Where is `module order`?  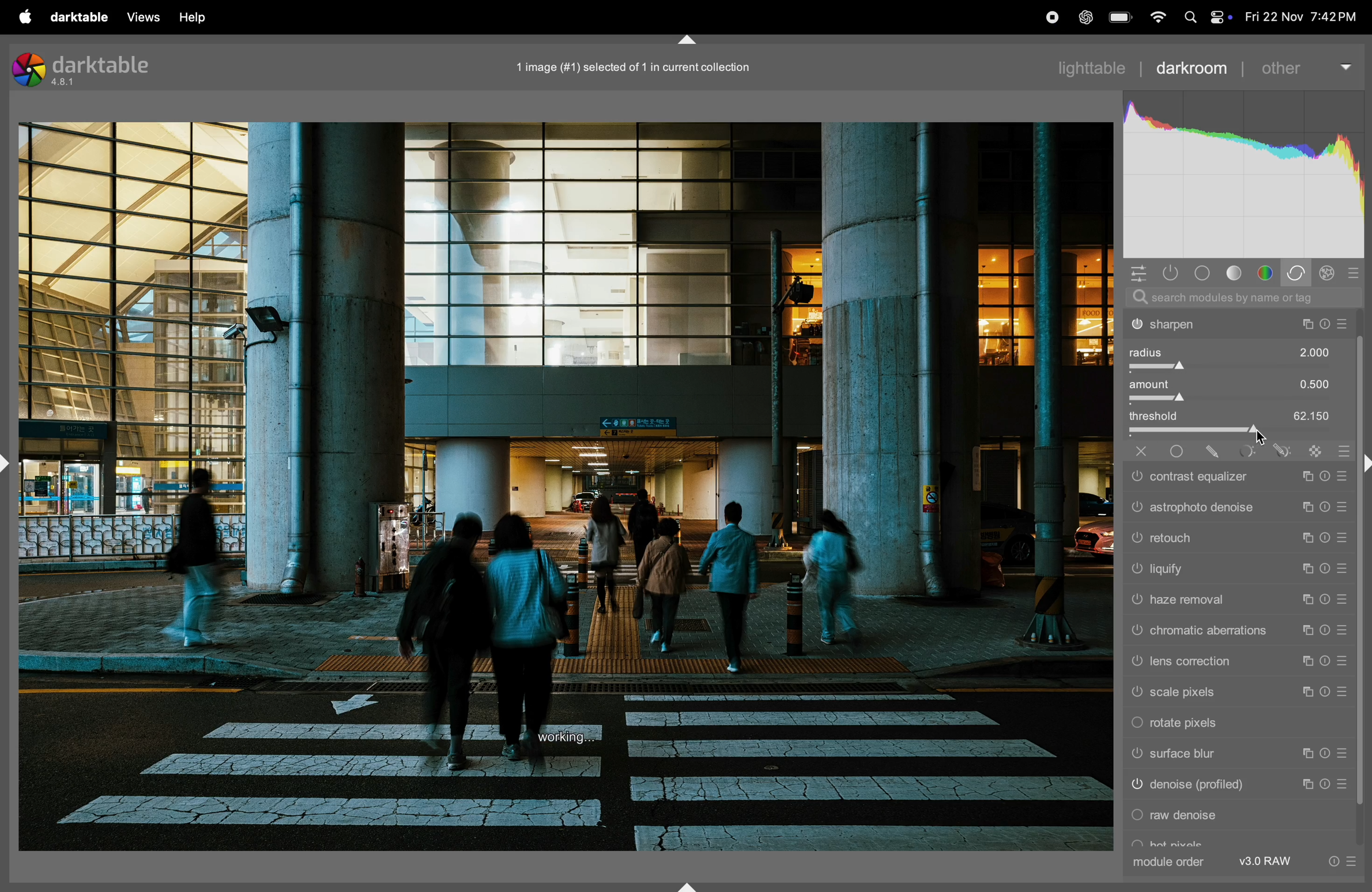
module order is located at coordinates (1171, 861).